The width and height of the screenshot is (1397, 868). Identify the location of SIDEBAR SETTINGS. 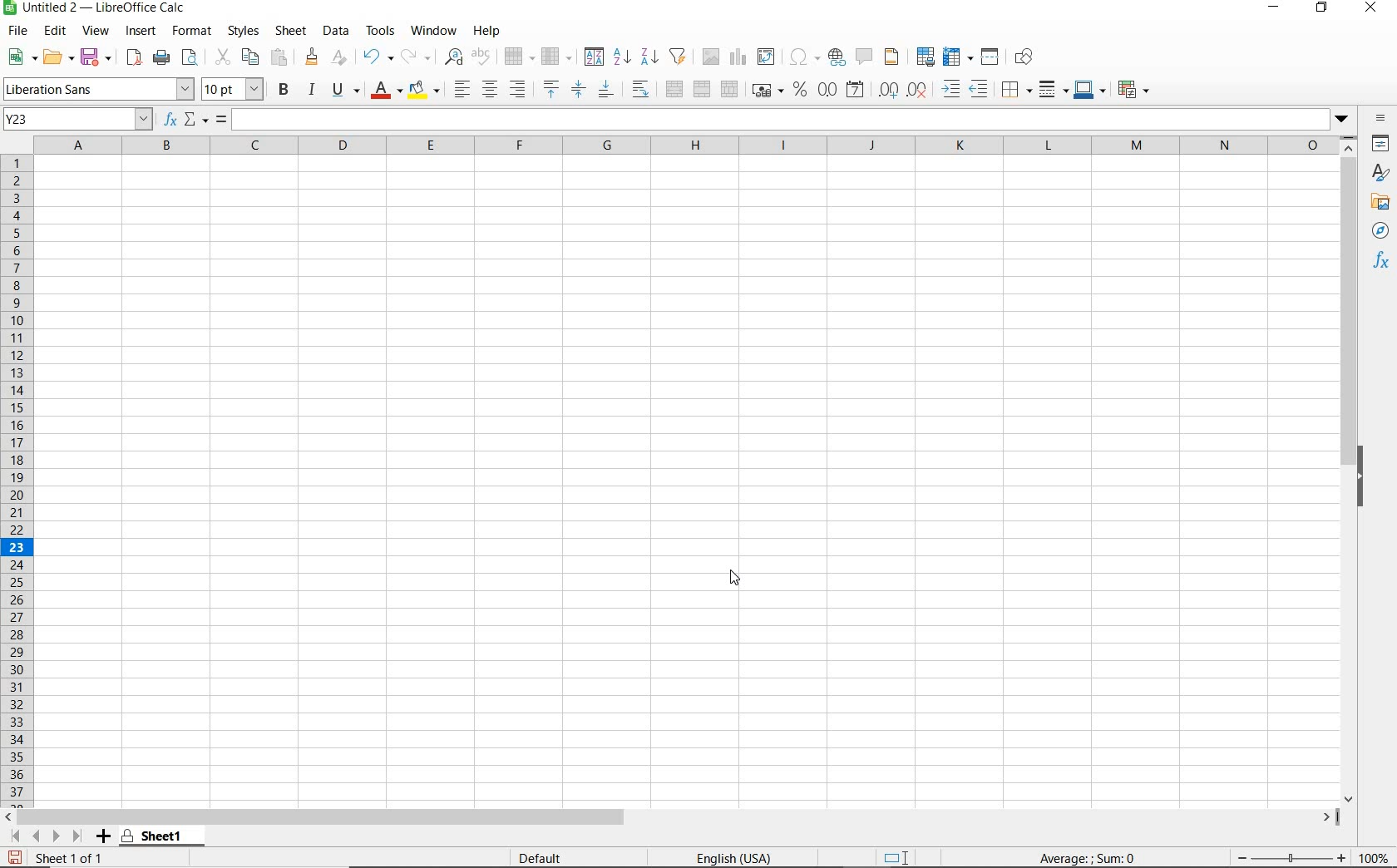
(1380, 118).